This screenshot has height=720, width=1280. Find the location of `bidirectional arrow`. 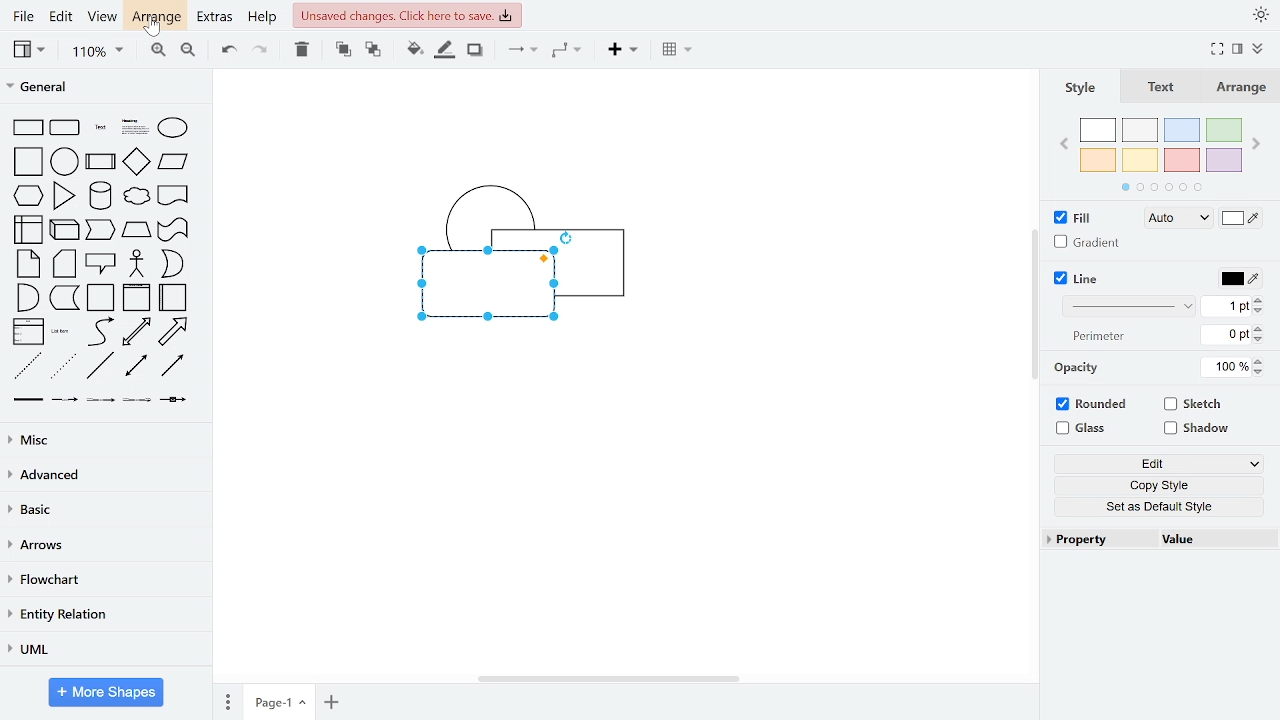

bidirectional arrow is located at coordinates (137, 333).